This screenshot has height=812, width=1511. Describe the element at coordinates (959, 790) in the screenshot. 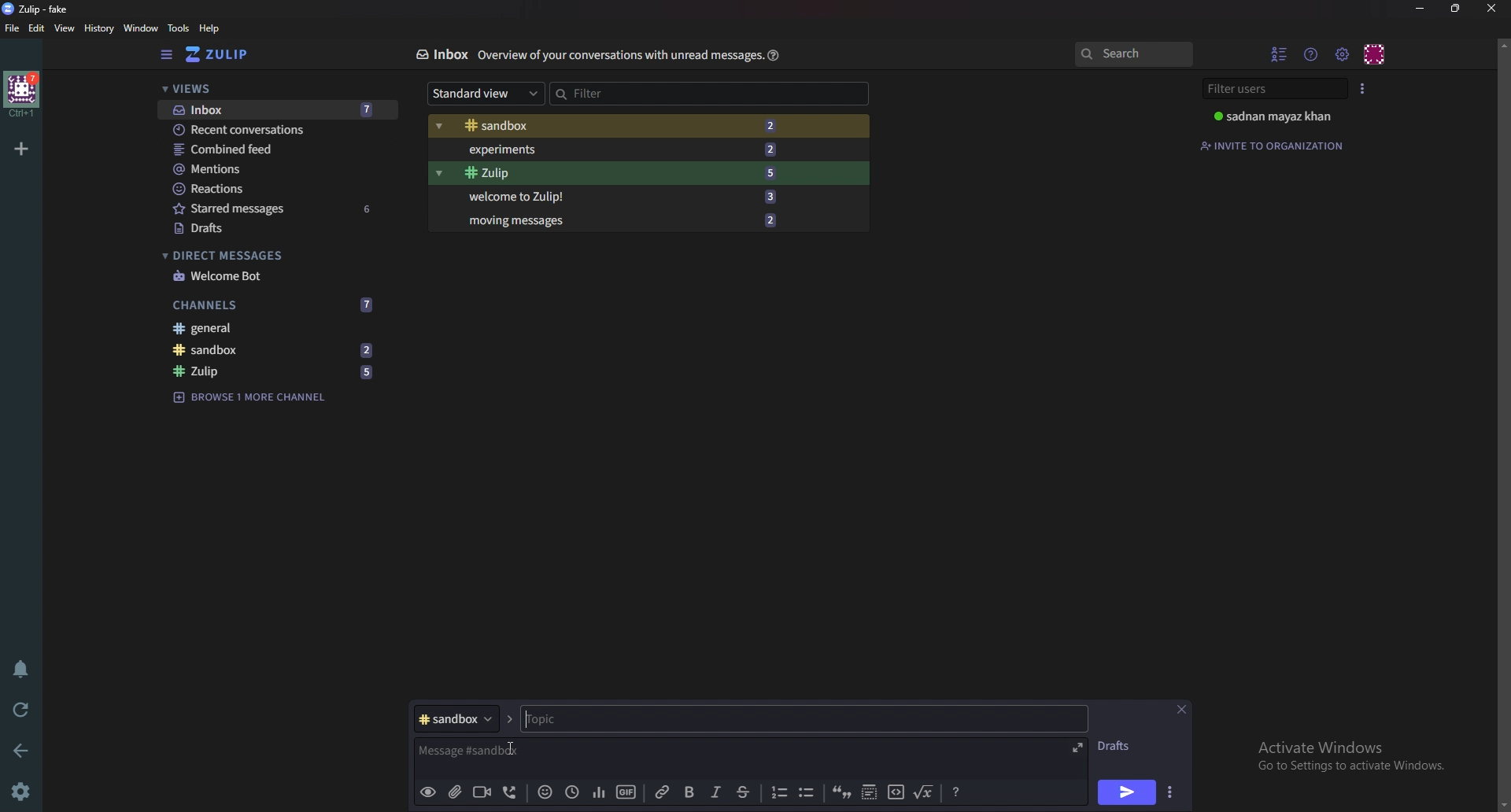

I see `Message formatting` at that location.